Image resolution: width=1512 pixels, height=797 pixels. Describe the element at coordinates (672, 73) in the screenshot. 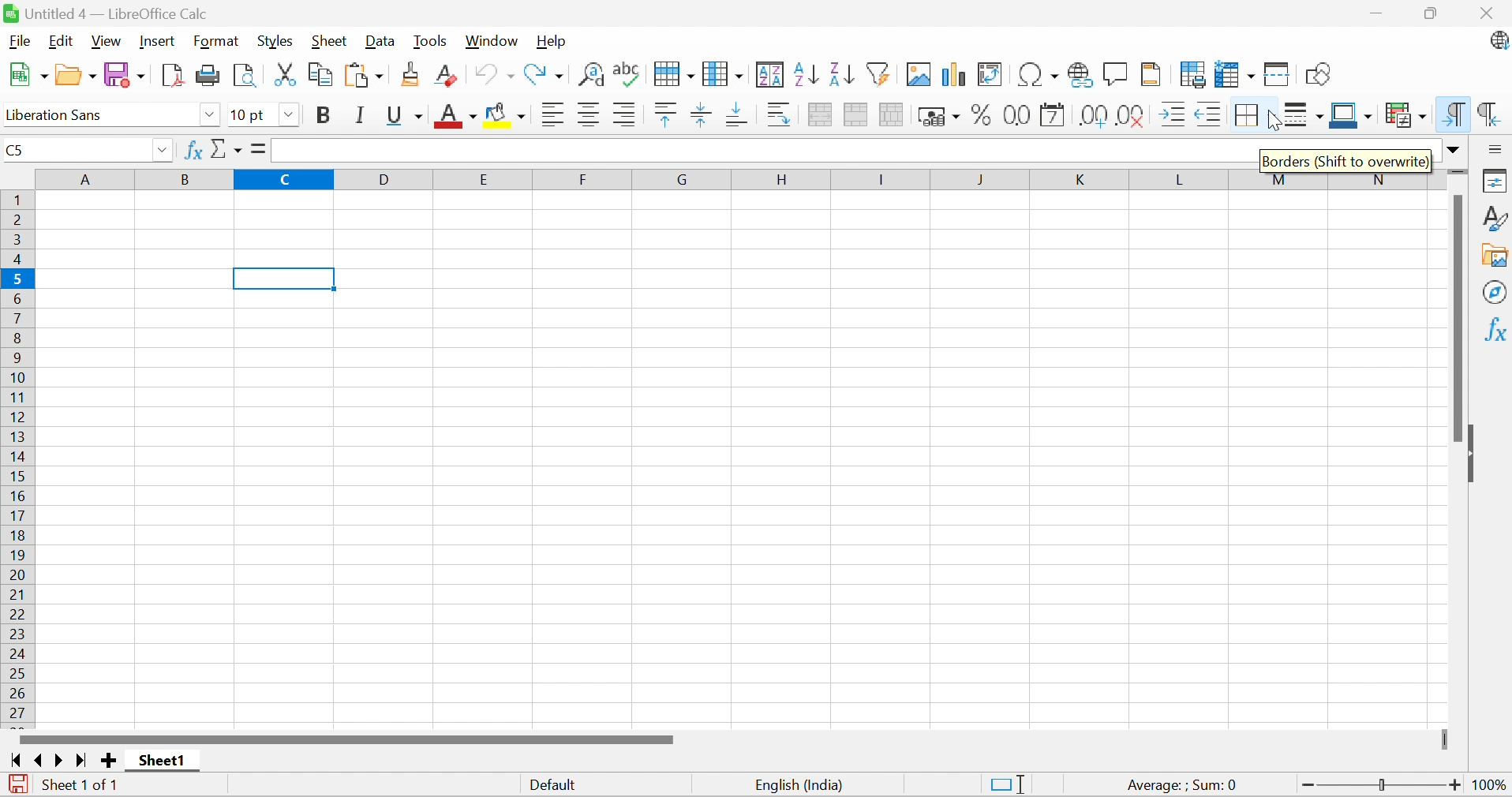

I see `Row` at that location.